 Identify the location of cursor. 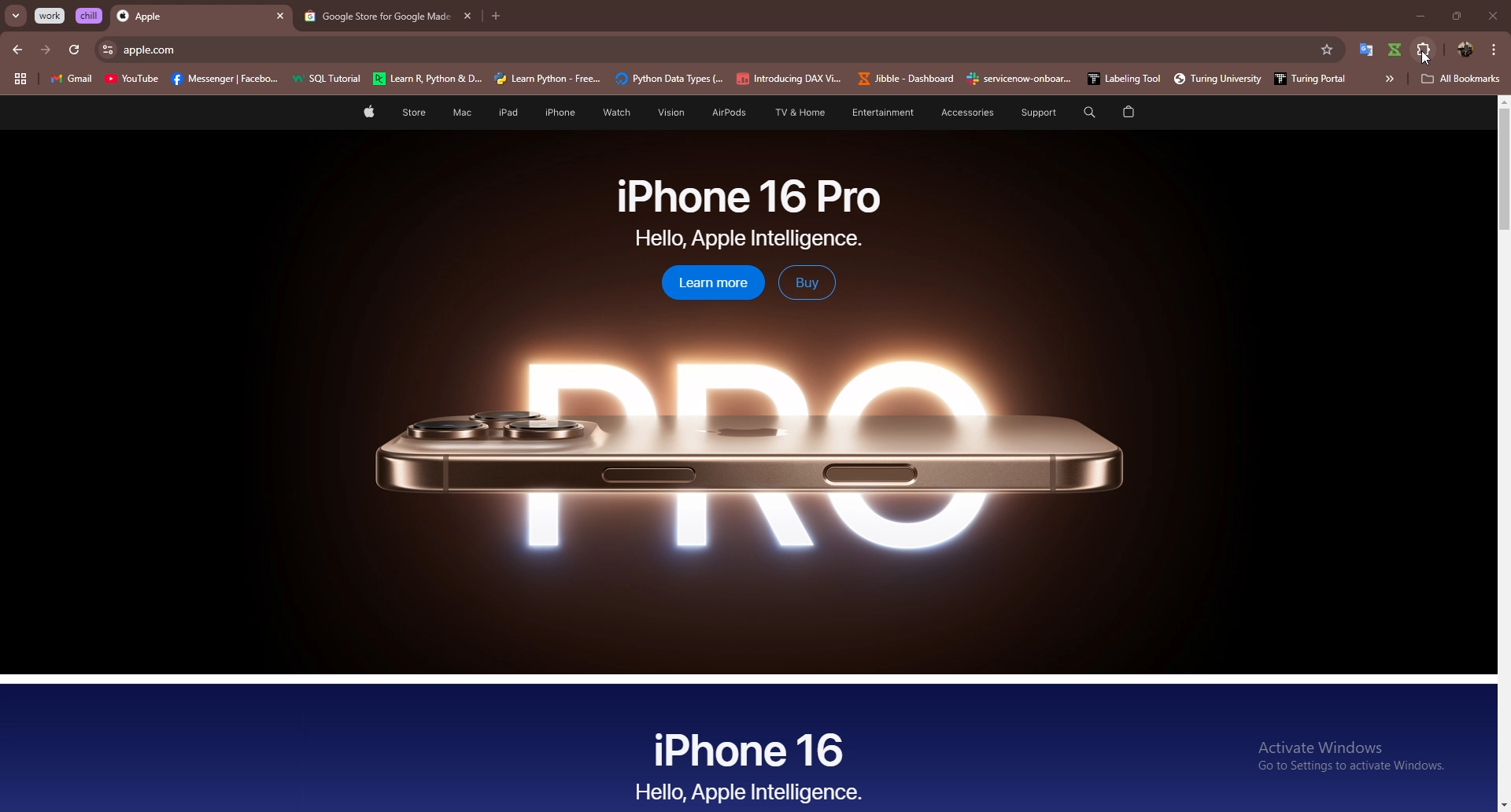
(1425, 58).